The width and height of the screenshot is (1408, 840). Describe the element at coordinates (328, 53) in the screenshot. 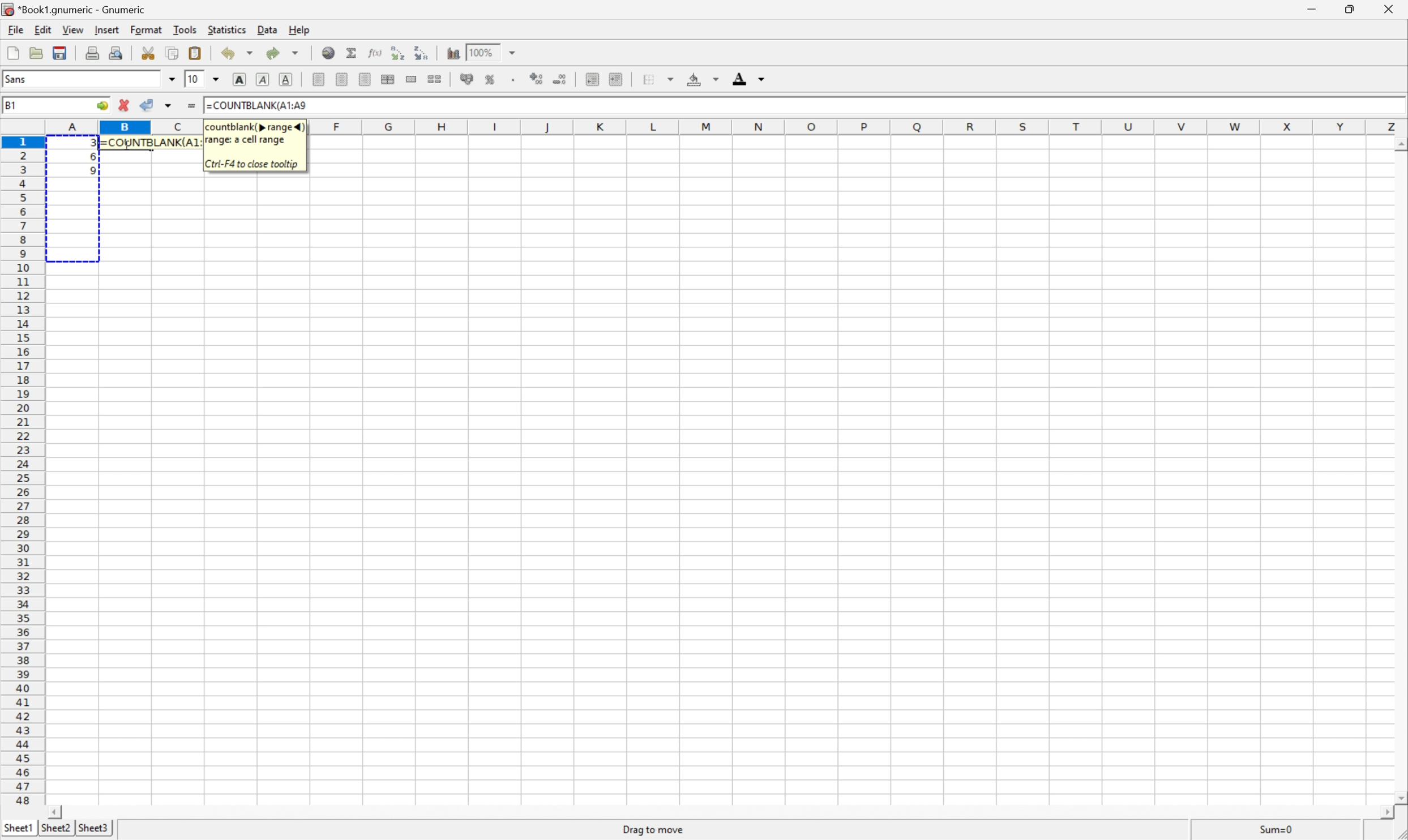

I see `Insert a hyperlink` at that location.